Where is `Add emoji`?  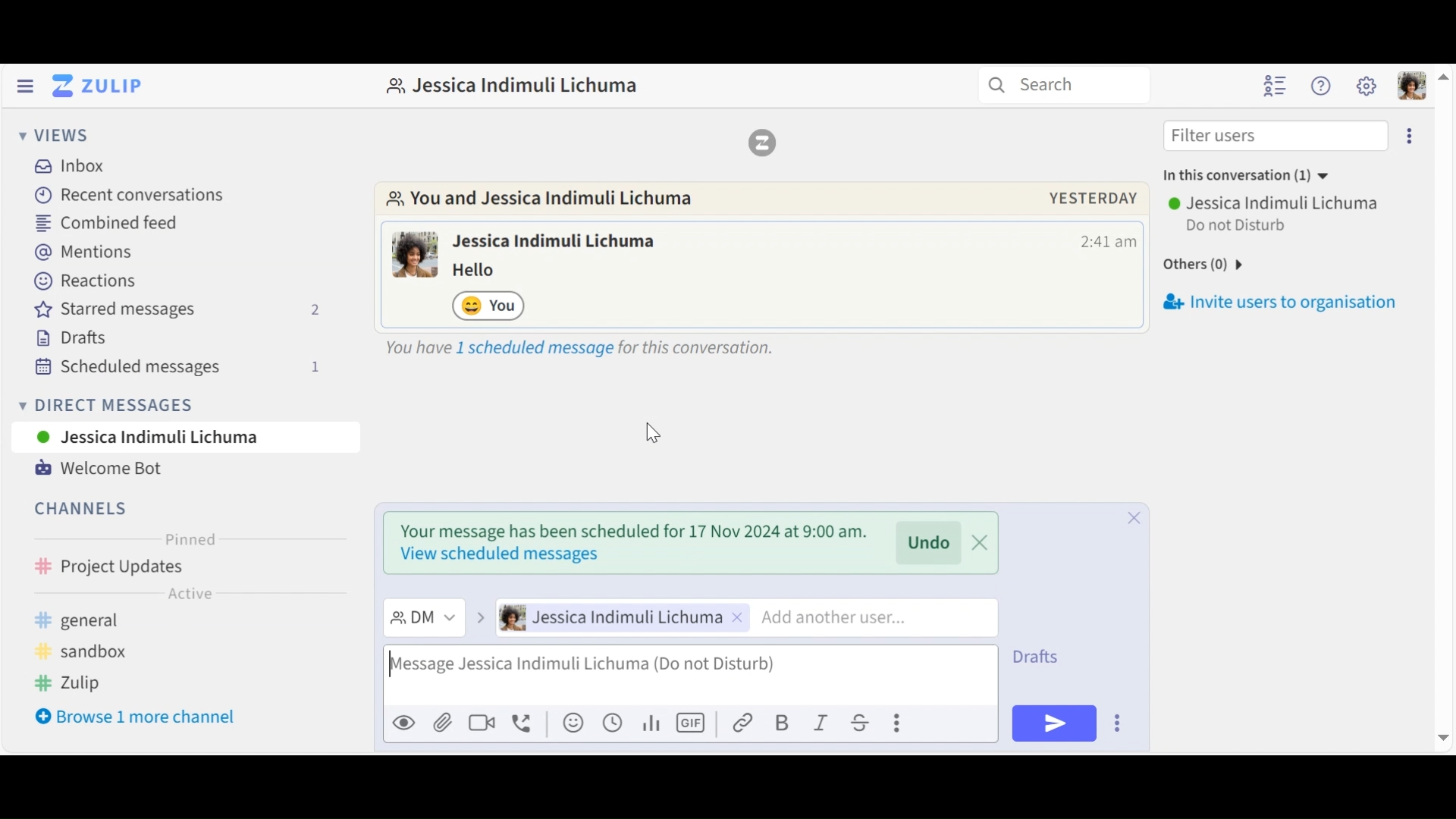
Add emoji is located at coordinates (572, 724).